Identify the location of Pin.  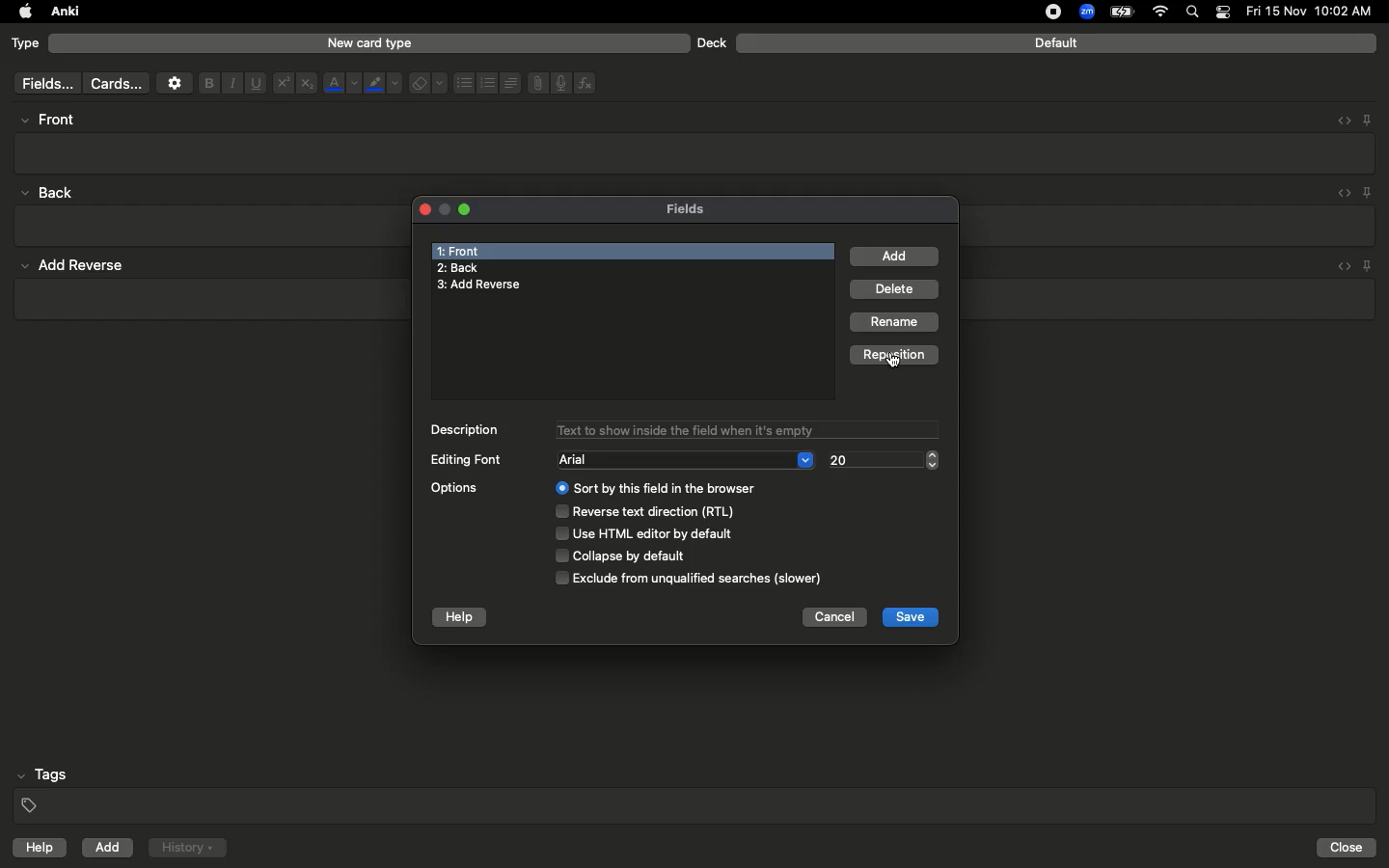
(1367, 119).